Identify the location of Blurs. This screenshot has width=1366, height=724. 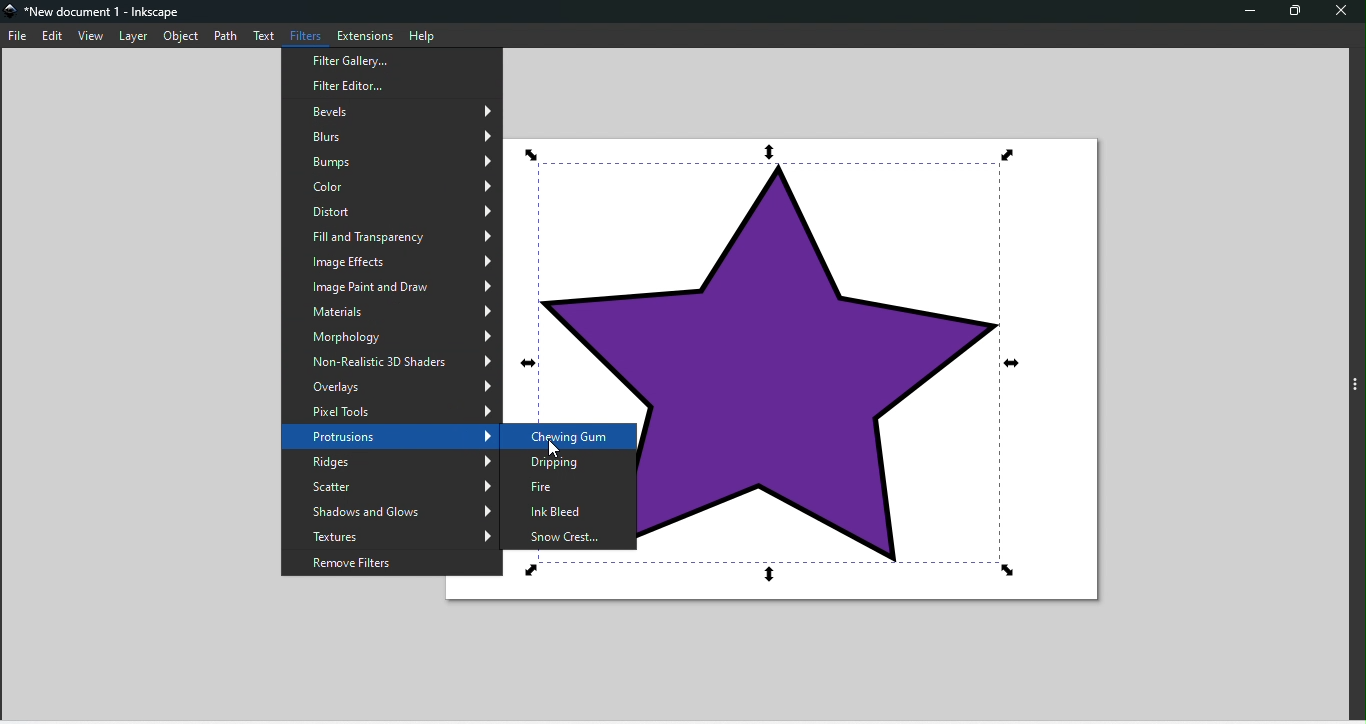
(390, 134).